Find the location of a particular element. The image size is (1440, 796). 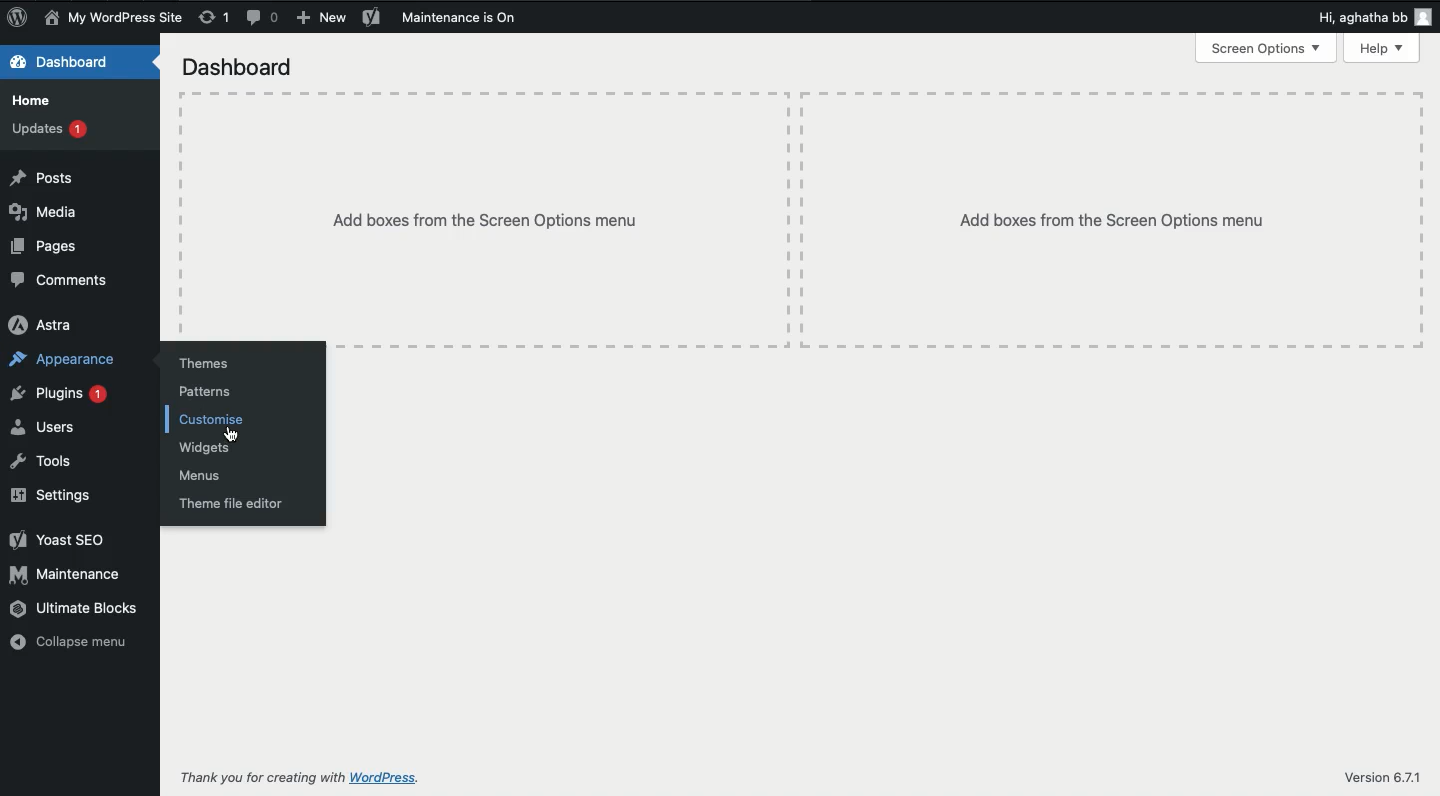

Comments is located at coordinates (58, 280).